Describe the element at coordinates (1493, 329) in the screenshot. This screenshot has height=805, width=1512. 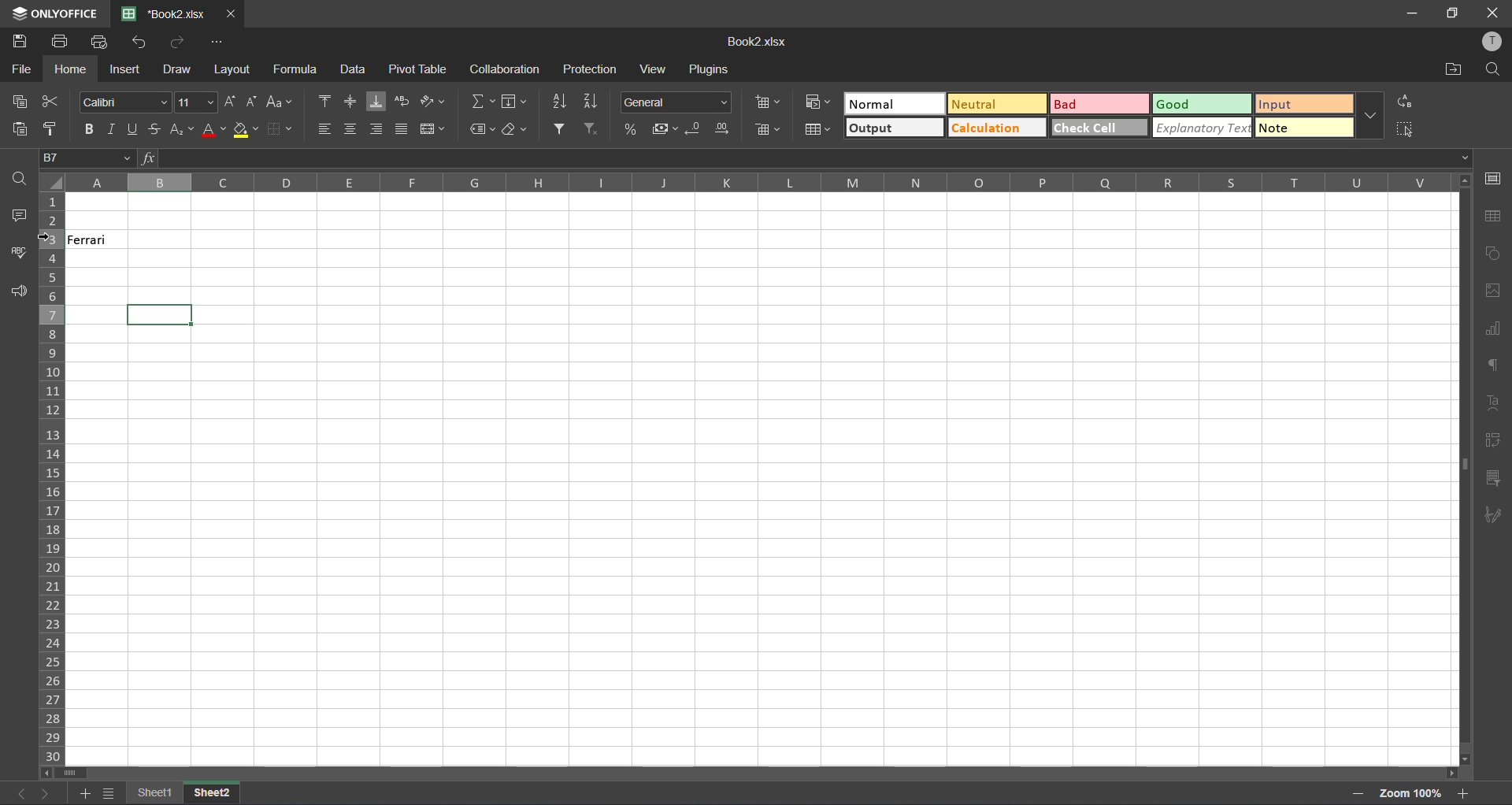
I see `charts` at that location.